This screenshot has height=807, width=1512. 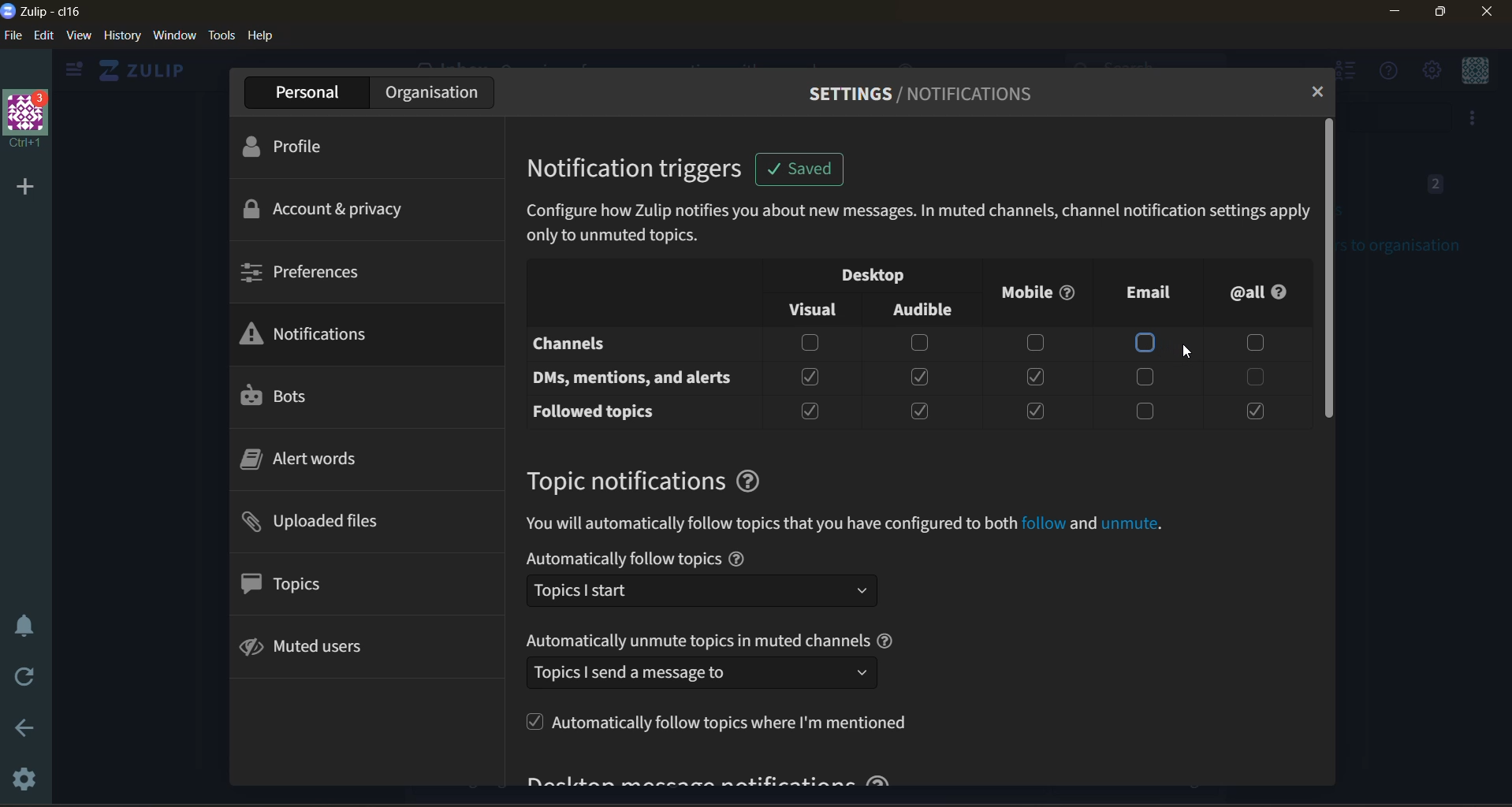 What do you see at coordinates (922, 413) in the screenshot?
I see `checkbox` at bounding box center [922, 413].